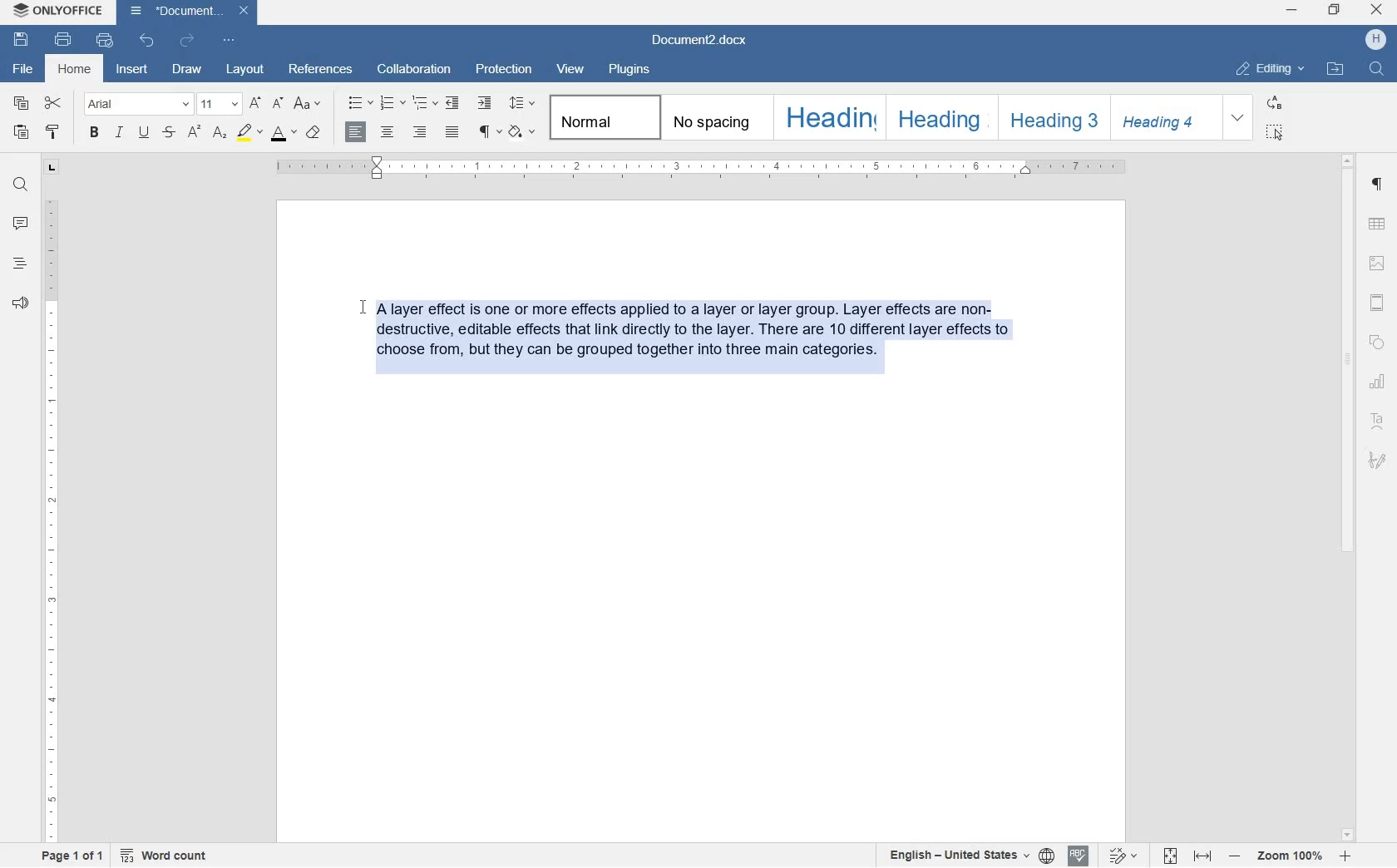  Describe the element at coordinates (695, 334) in the screenshot. I see `block of text written by user highlighted` at that location.